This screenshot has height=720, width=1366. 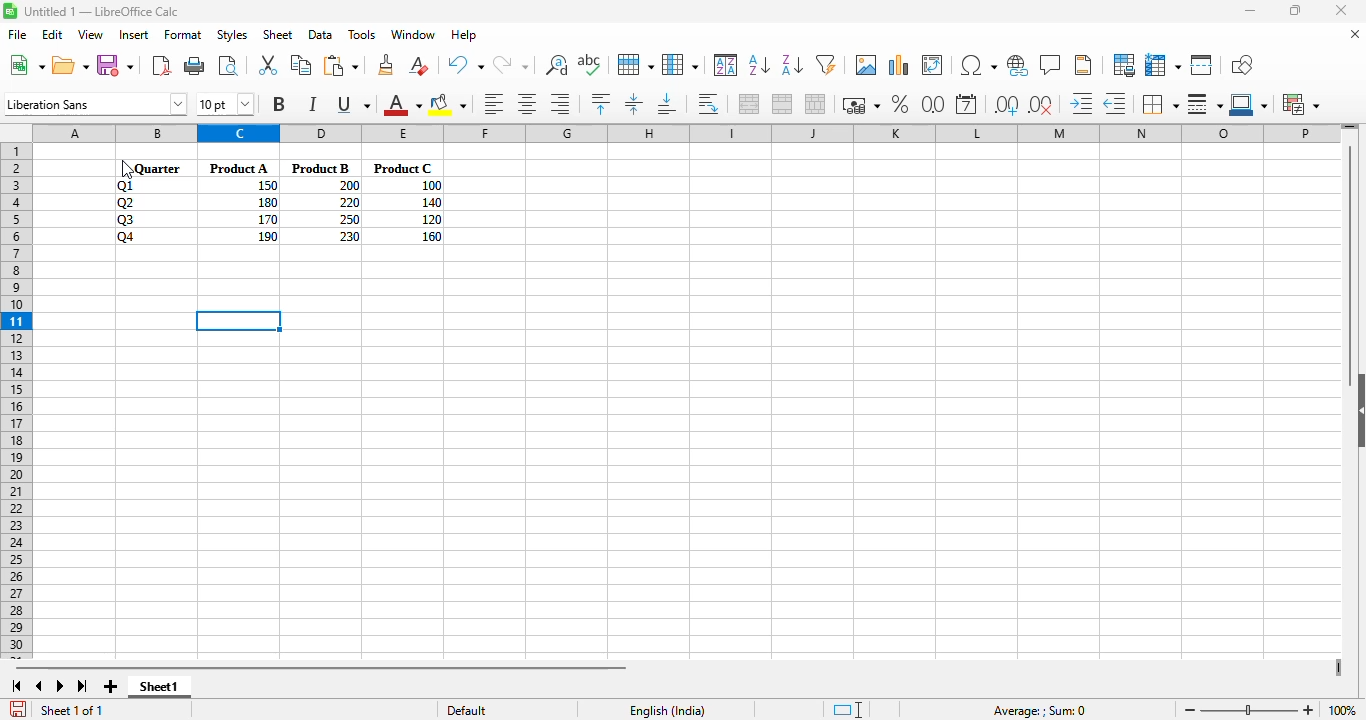 What do you see at coordinates (161, 64) in the screenshot?
I see `export directly as PDF` at bounding box center [161, 64].